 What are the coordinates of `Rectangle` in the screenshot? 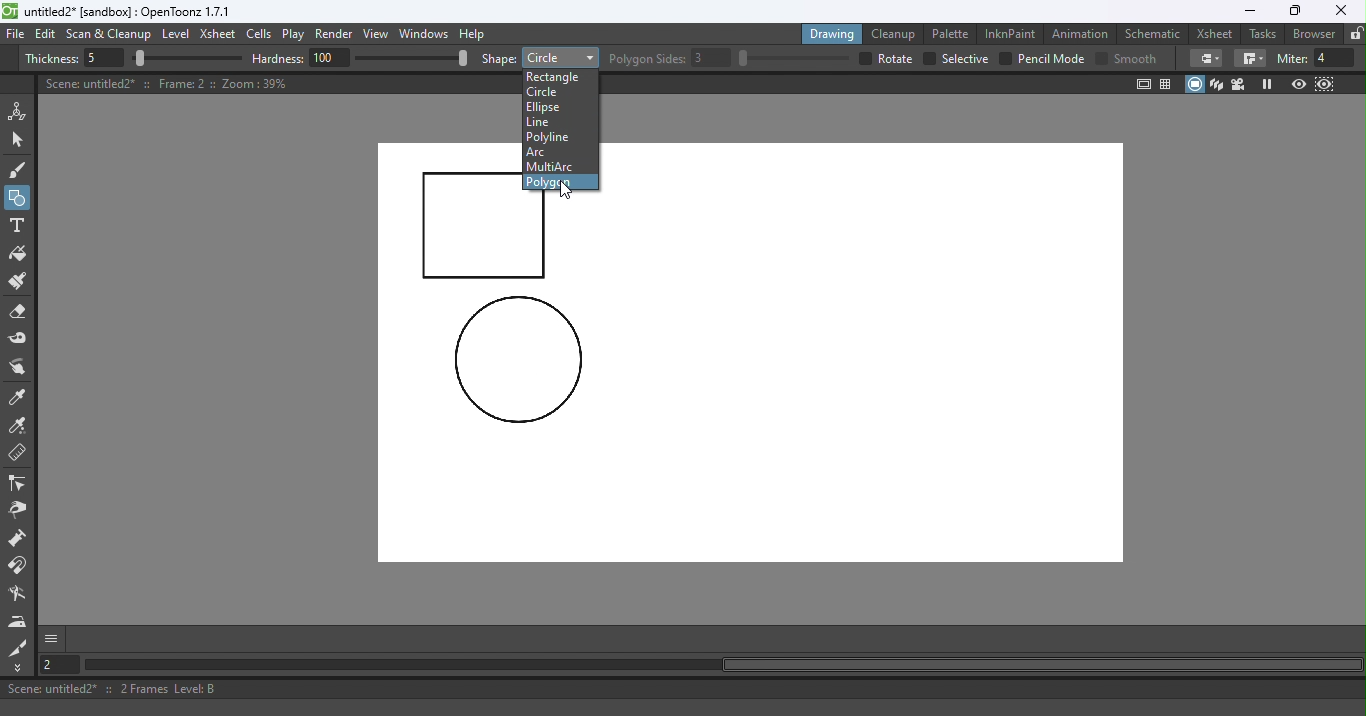 It's located at (559, 75).